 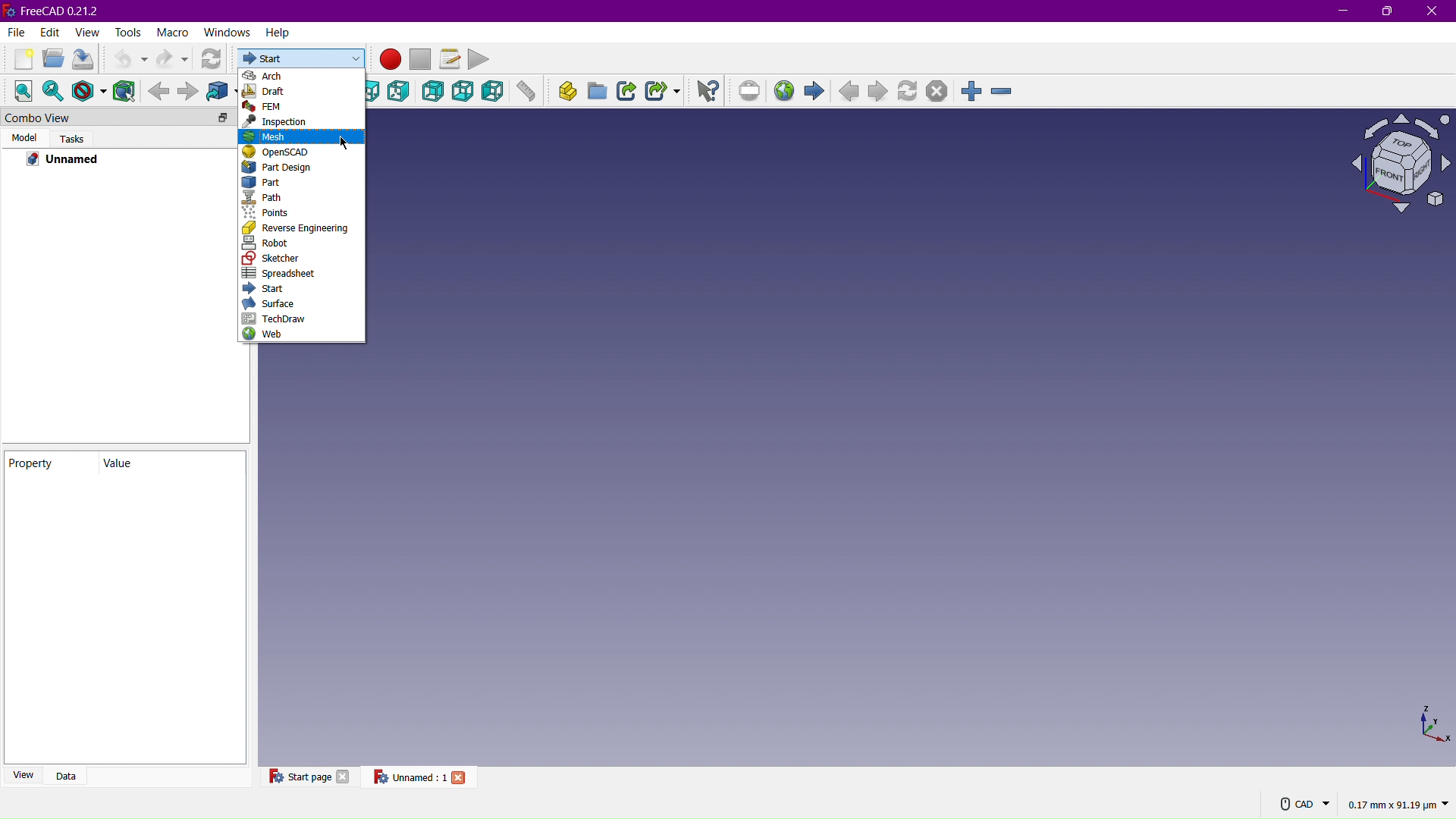 I want to click on Mesh, so click(x=303, y=136).